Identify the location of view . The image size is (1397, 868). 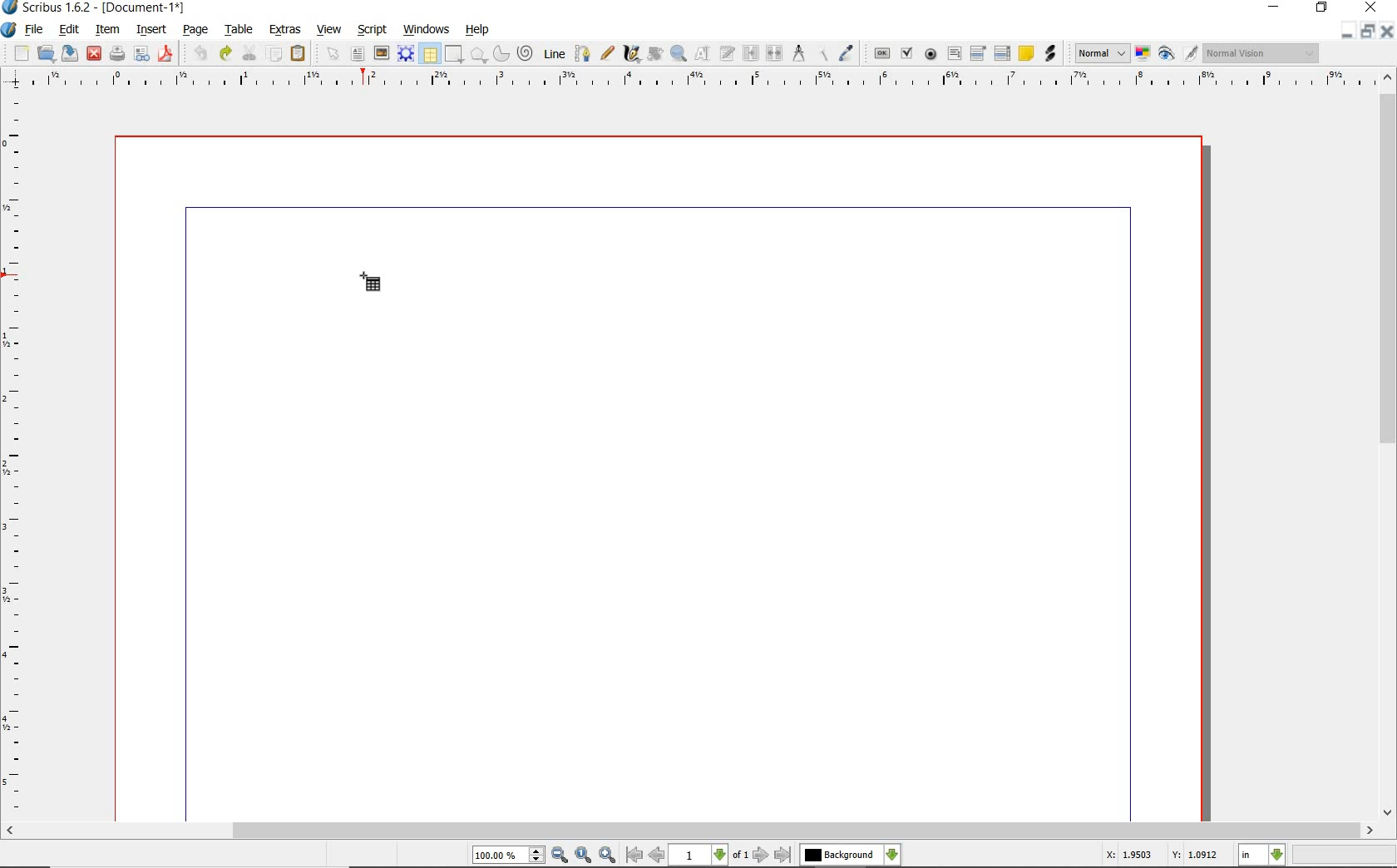
(332, 30).